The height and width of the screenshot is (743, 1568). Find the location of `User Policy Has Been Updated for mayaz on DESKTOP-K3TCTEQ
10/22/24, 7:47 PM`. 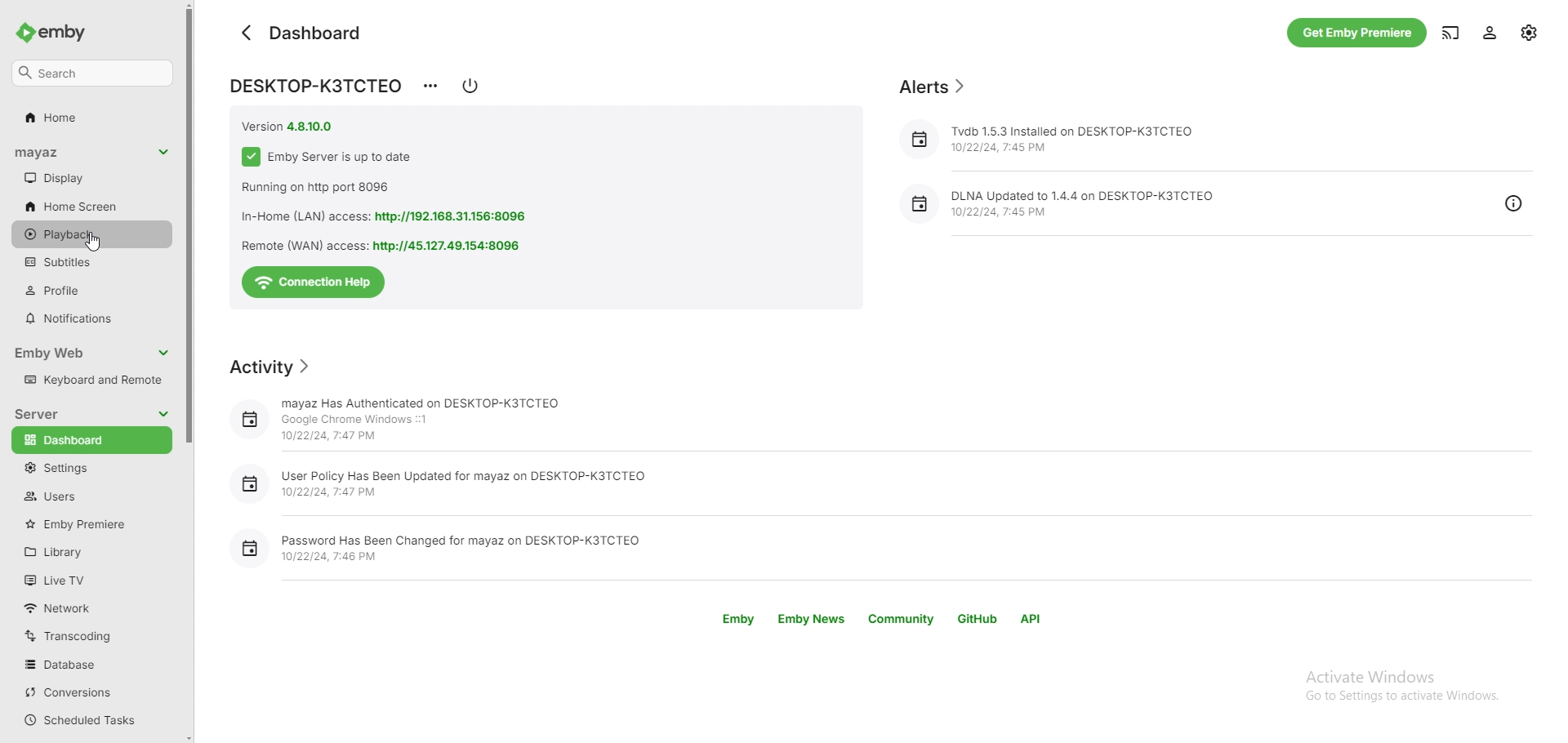

User Policy Has Been Updated for mayaz on DESKTOP-K3TCTEQ
10/22/24, 7:47 PM is located at coordinates (444, 487).